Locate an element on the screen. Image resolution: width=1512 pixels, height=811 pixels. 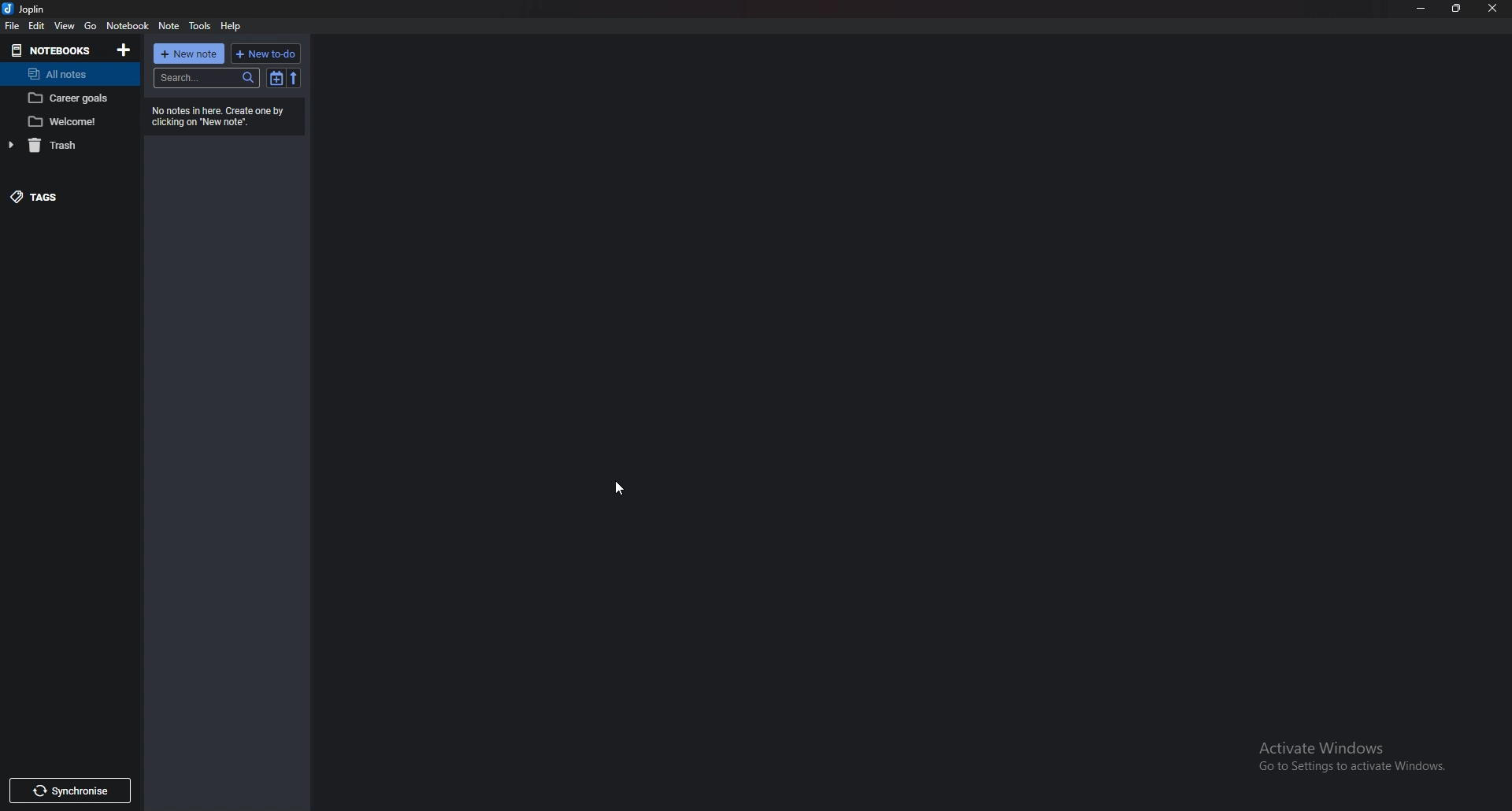
resize is located at coordinates (1458, 9).